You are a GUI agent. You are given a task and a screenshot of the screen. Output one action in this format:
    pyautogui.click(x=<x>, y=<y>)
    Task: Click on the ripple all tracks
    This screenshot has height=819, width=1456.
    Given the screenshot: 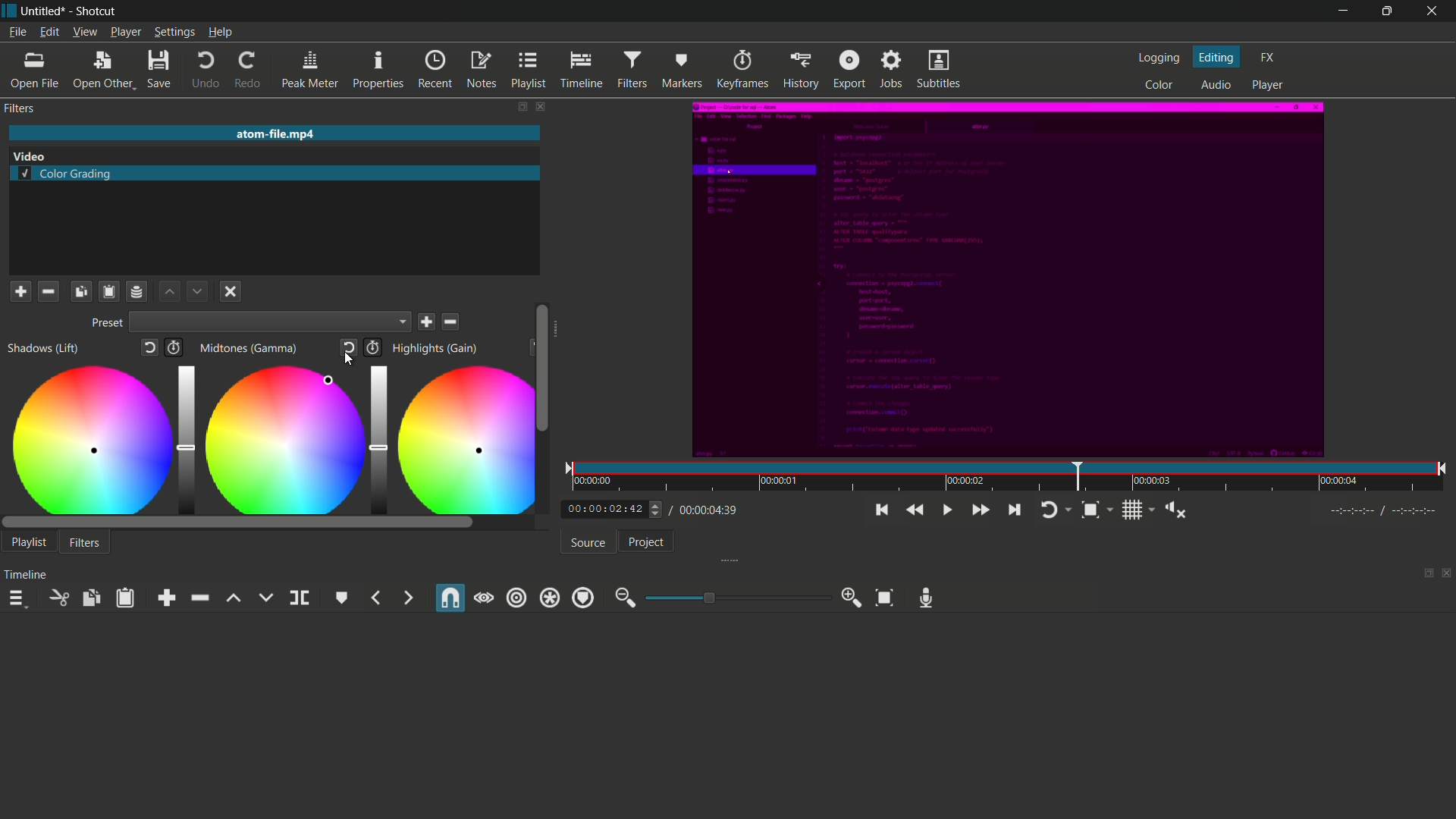 What is the action you would take?
    pyautogui.click(x=549, y=599)
    